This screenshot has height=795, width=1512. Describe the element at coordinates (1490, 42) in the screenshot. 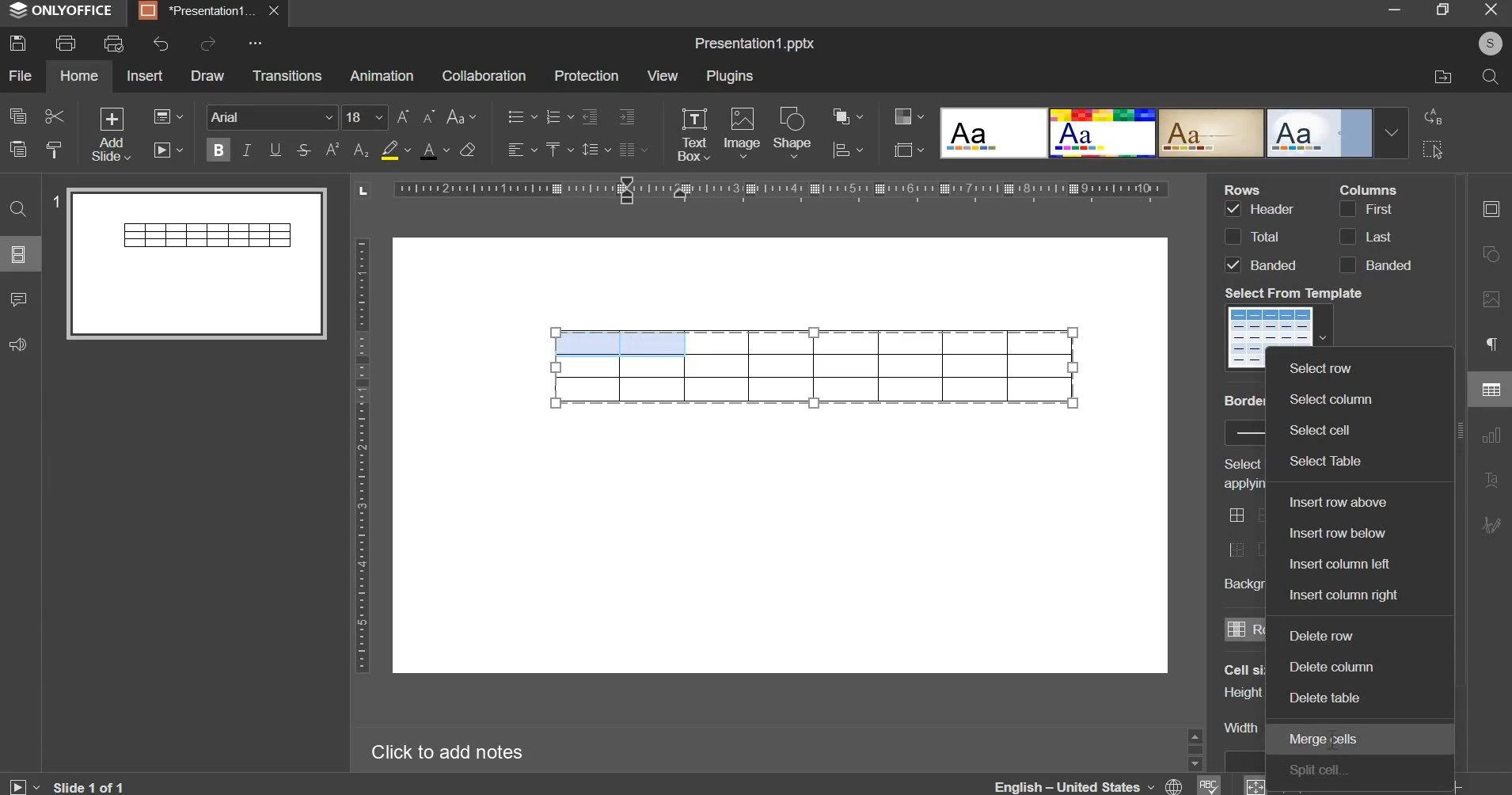

I see `User's account` at that location.